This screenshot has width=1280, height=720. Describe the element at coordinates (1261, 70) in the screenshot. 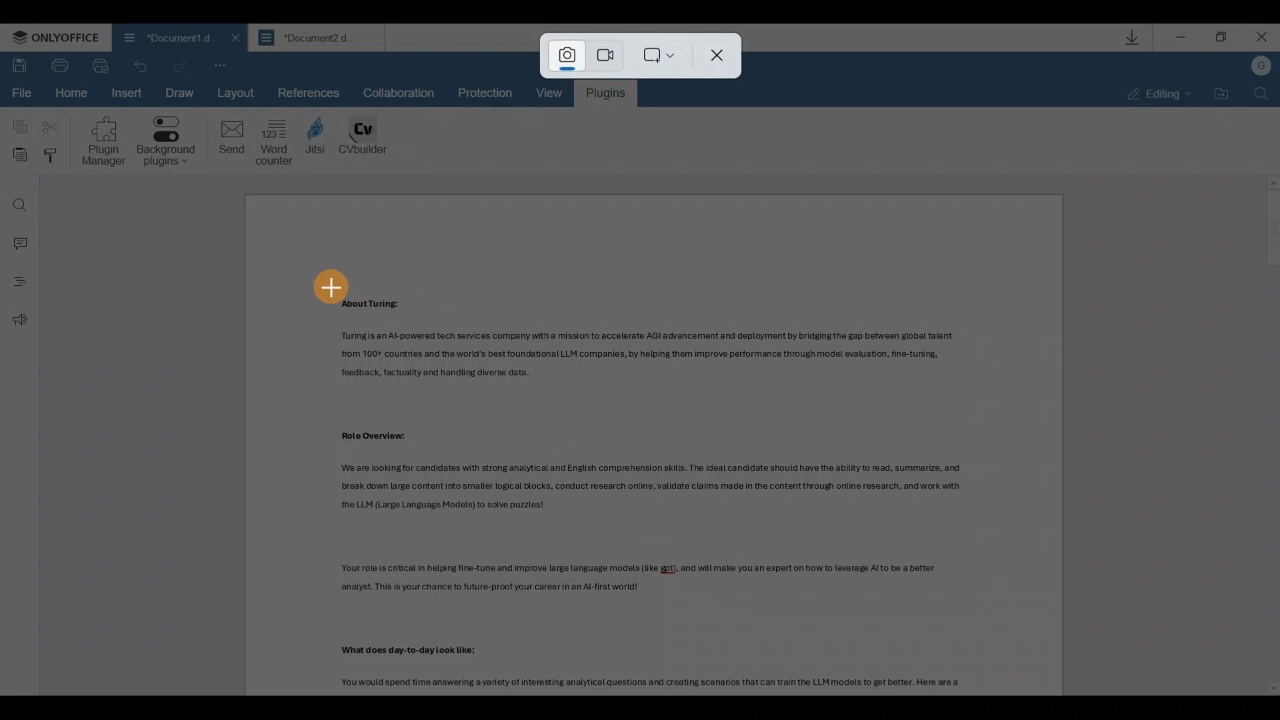

I see `Account name` at that location.